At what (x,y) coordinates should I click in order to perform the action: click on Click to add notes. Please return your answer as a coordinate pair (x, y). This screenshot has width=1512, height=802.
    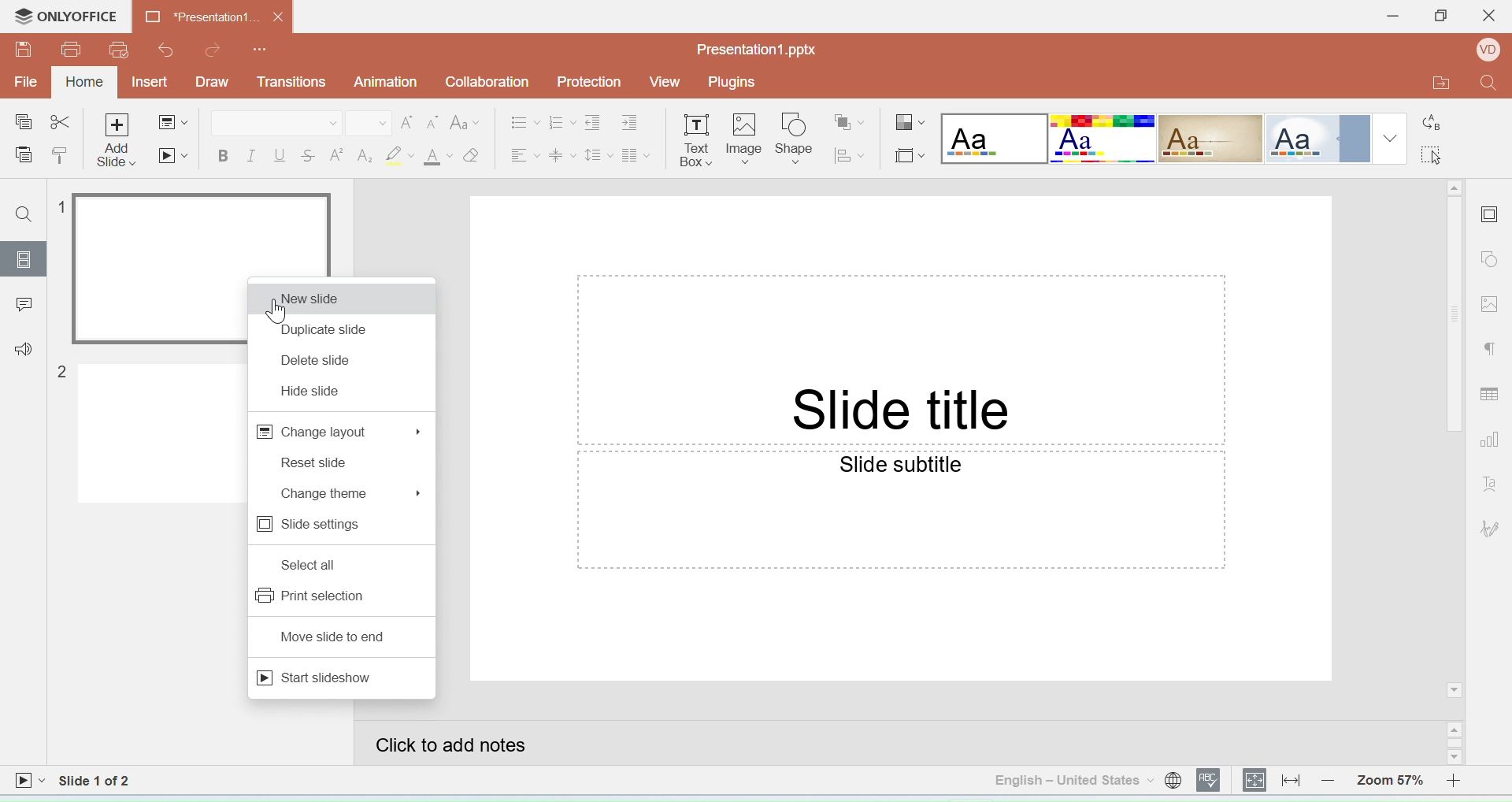
    Looking at the image, I should click on (900, 743).